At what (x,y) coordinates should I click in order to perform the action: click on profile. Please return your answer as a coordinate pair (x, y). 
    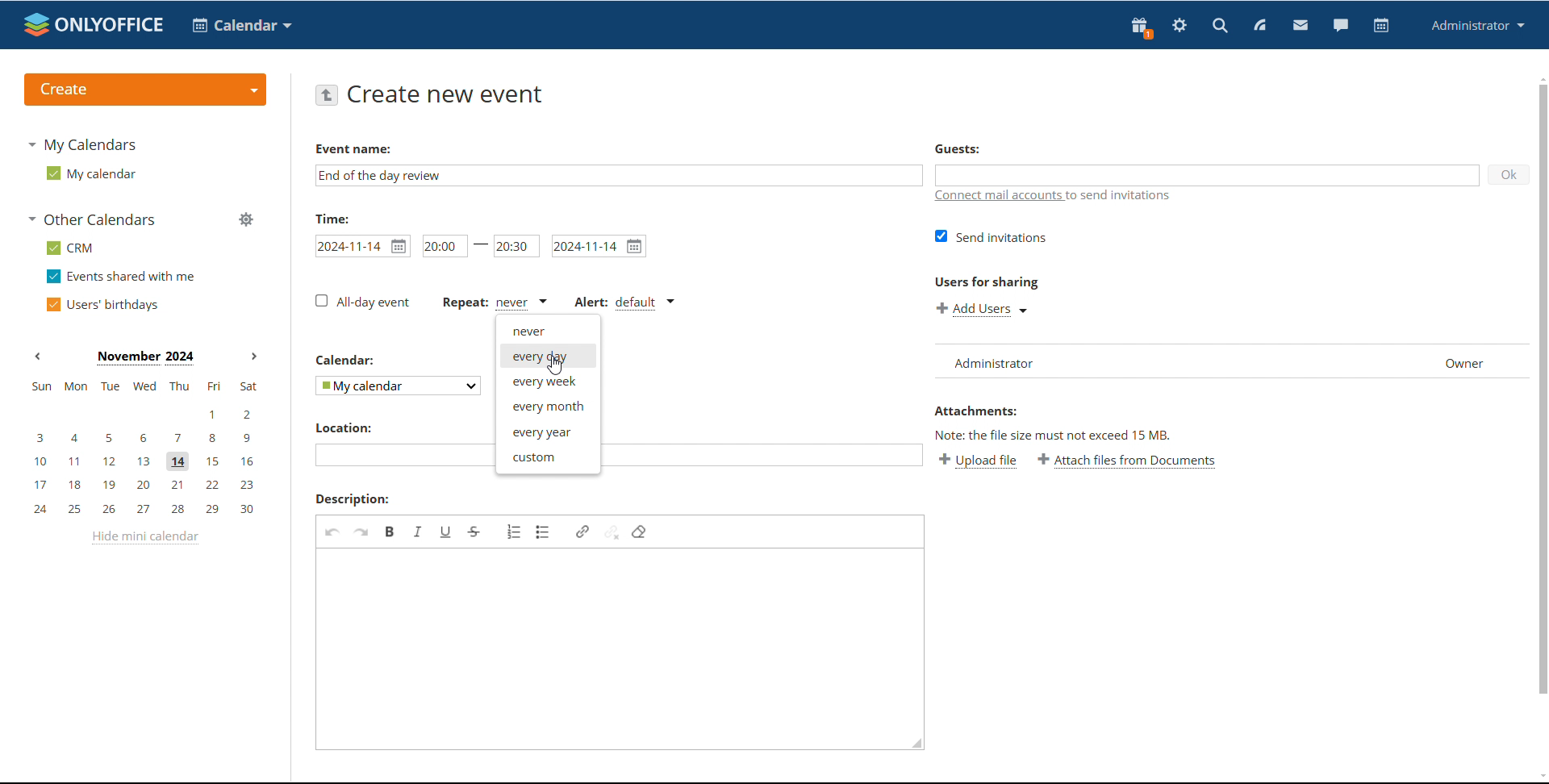
    Looking at the image, I should click on (1478, 25).